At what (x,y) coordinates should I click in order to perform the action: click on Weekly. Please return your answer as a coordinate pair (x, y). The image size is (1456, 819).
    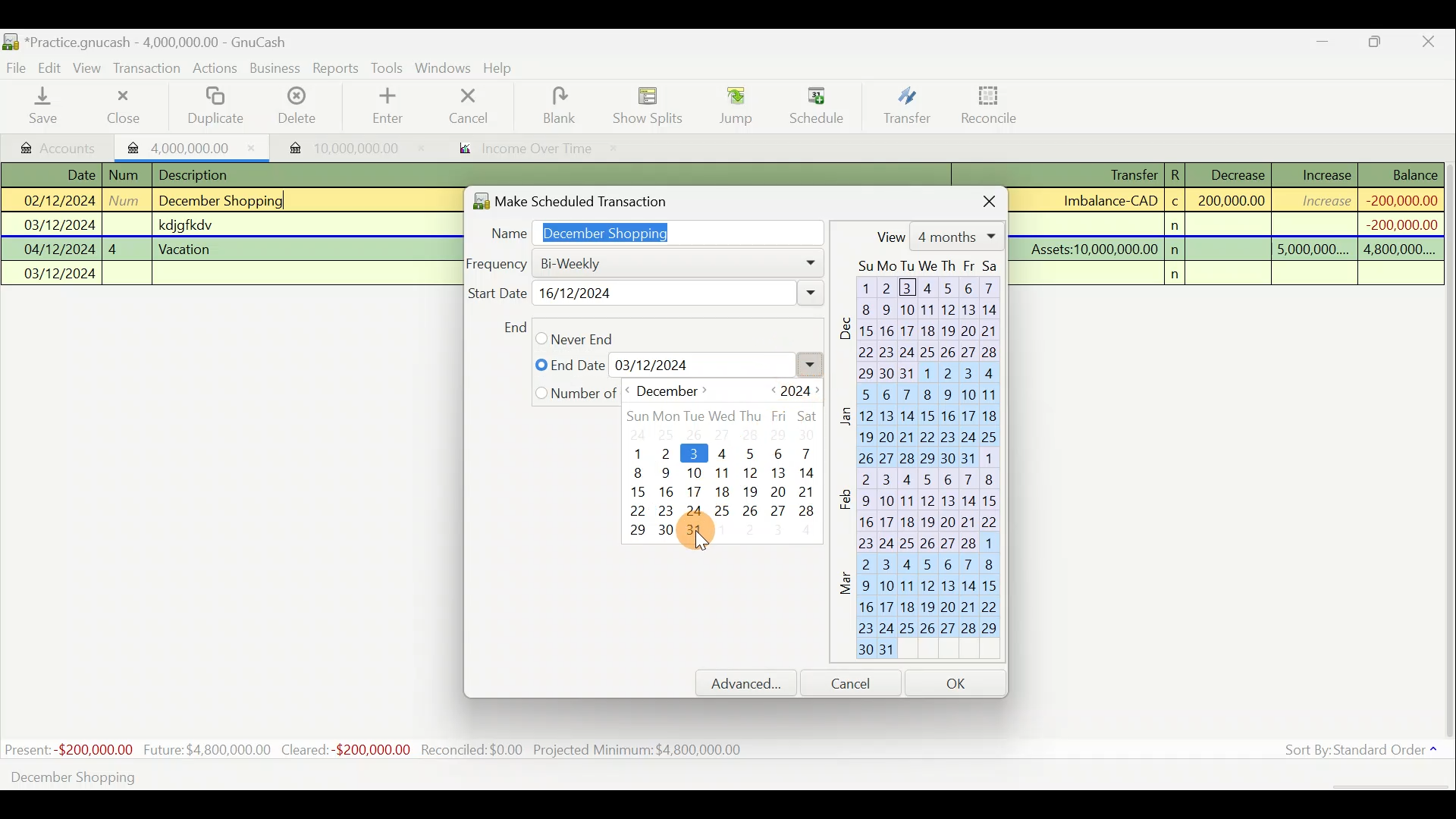
    Looking at the image, I should click on (583, 293).